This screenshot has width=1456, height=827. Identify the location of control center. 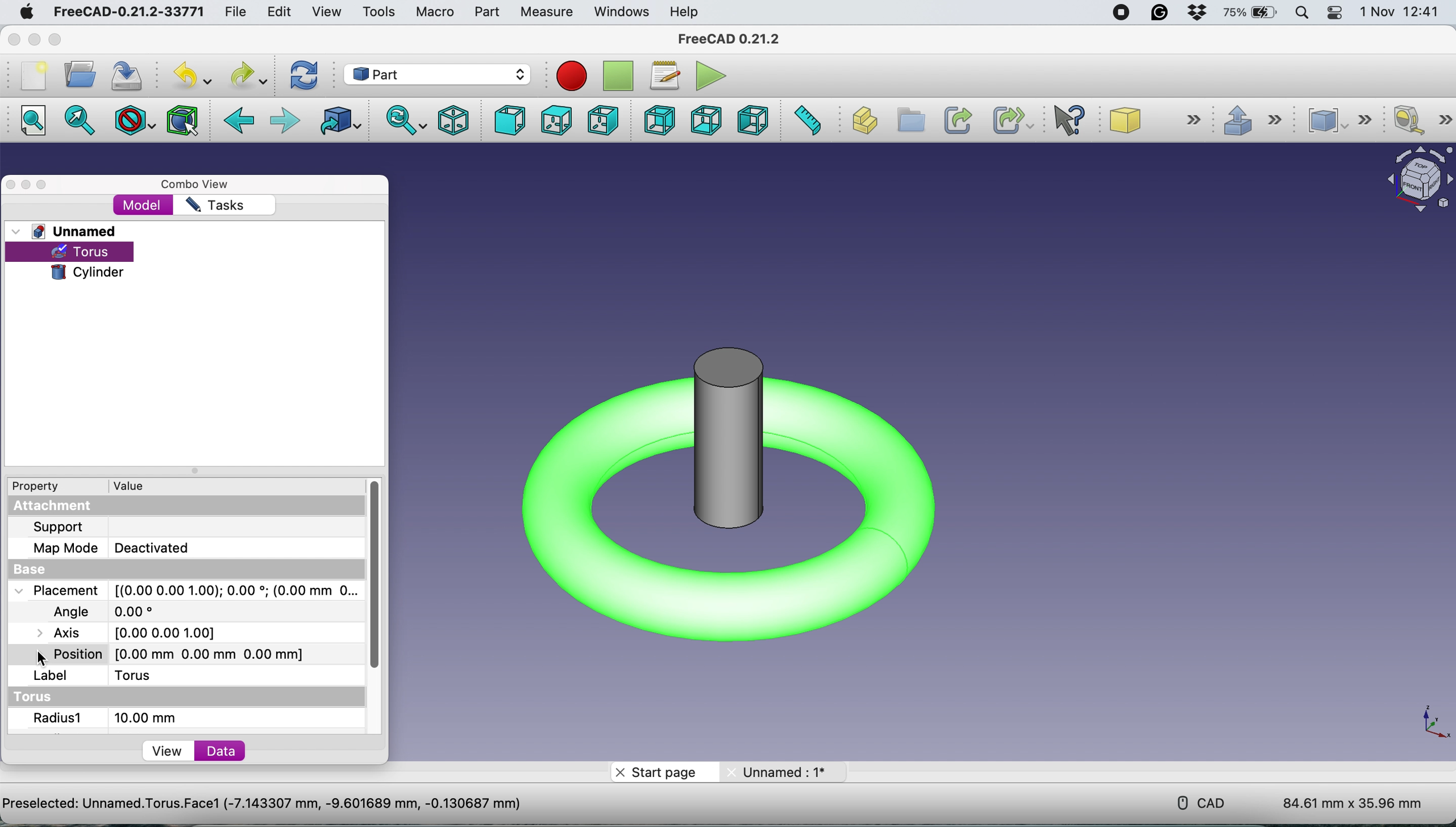
(1333, 13).